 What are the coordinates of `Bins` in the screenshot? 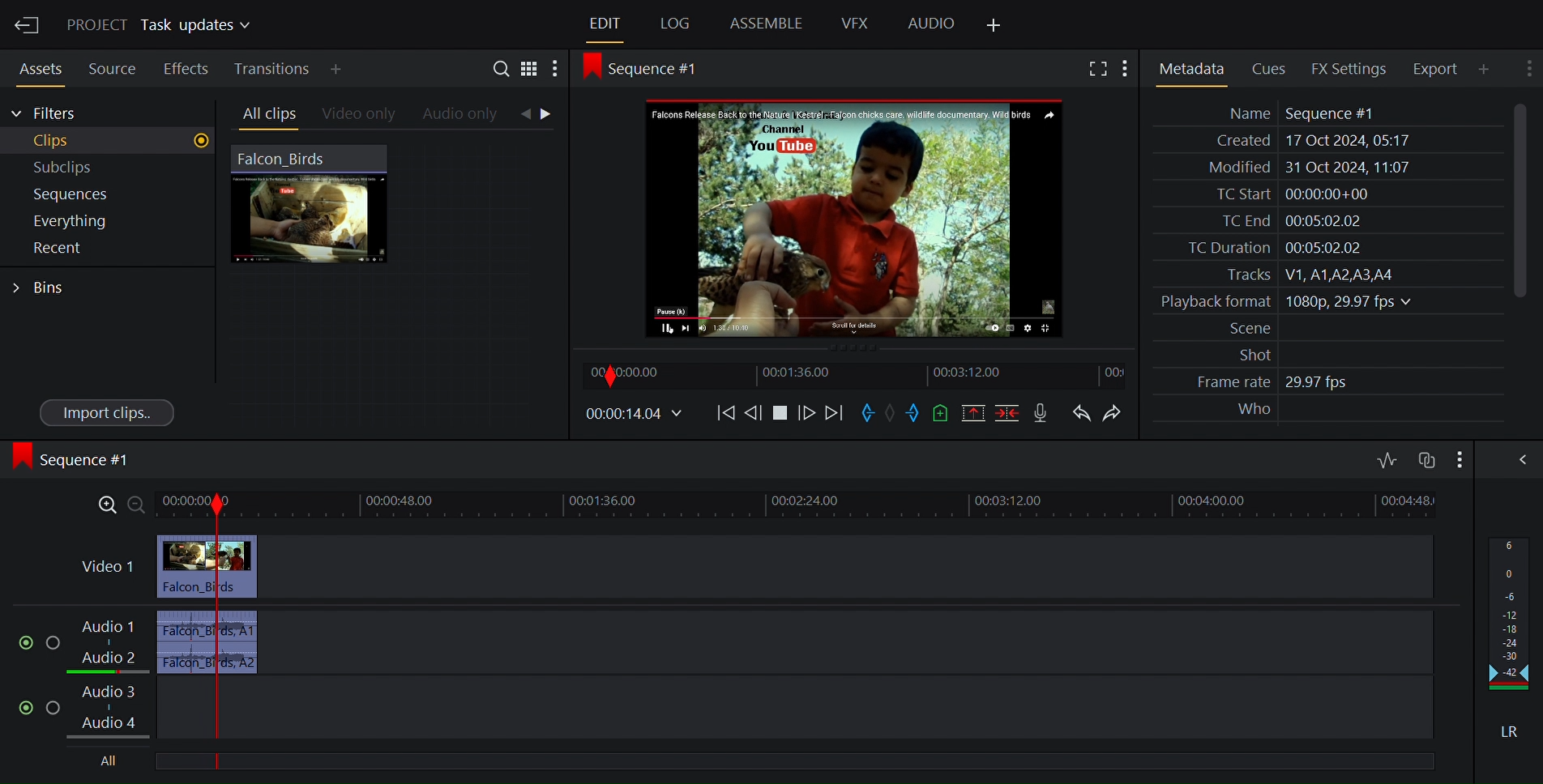 It's located at (47, 286).